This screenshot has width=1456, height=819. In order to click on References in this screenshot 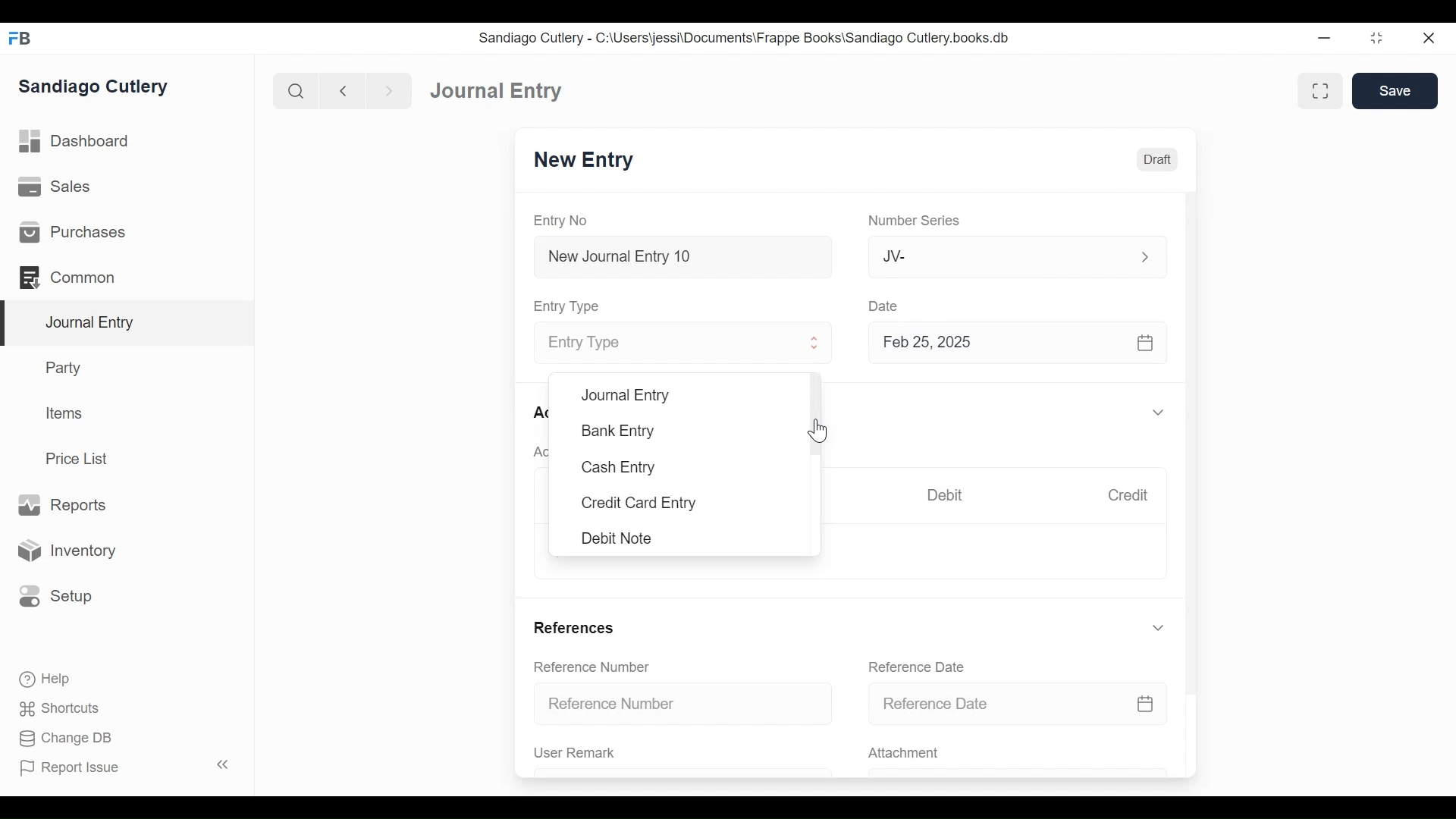, I will do `click(576, 626)`.